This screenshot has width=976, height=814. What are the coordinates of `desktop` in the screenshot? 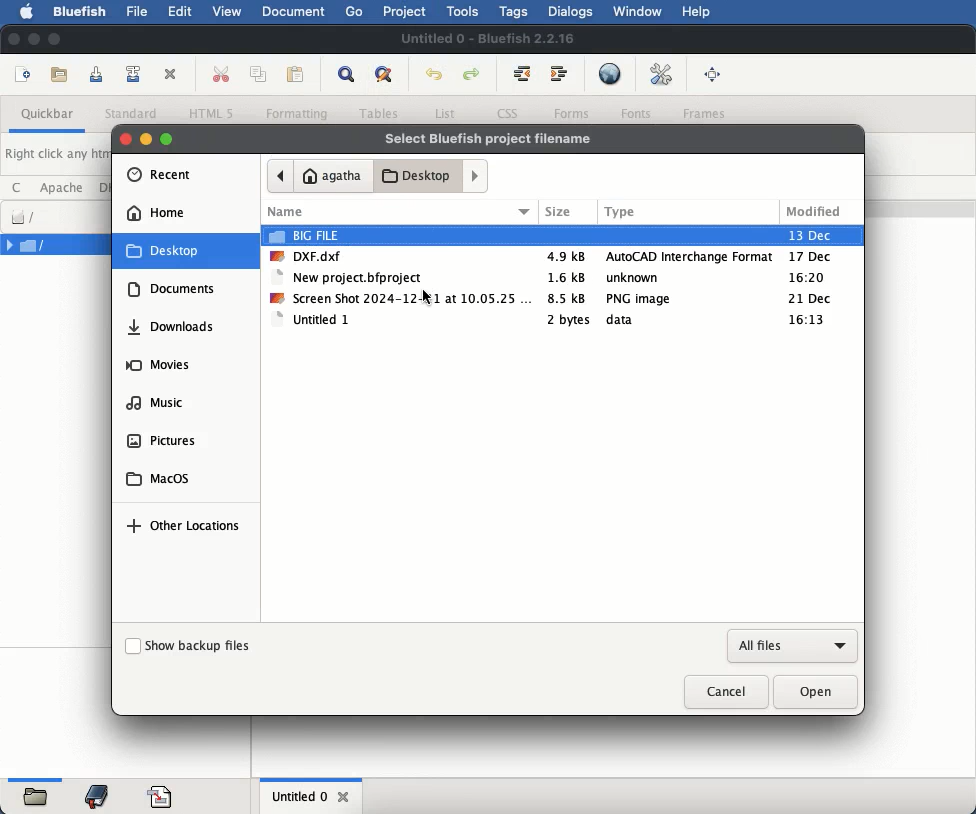 It's located at (164, 250).